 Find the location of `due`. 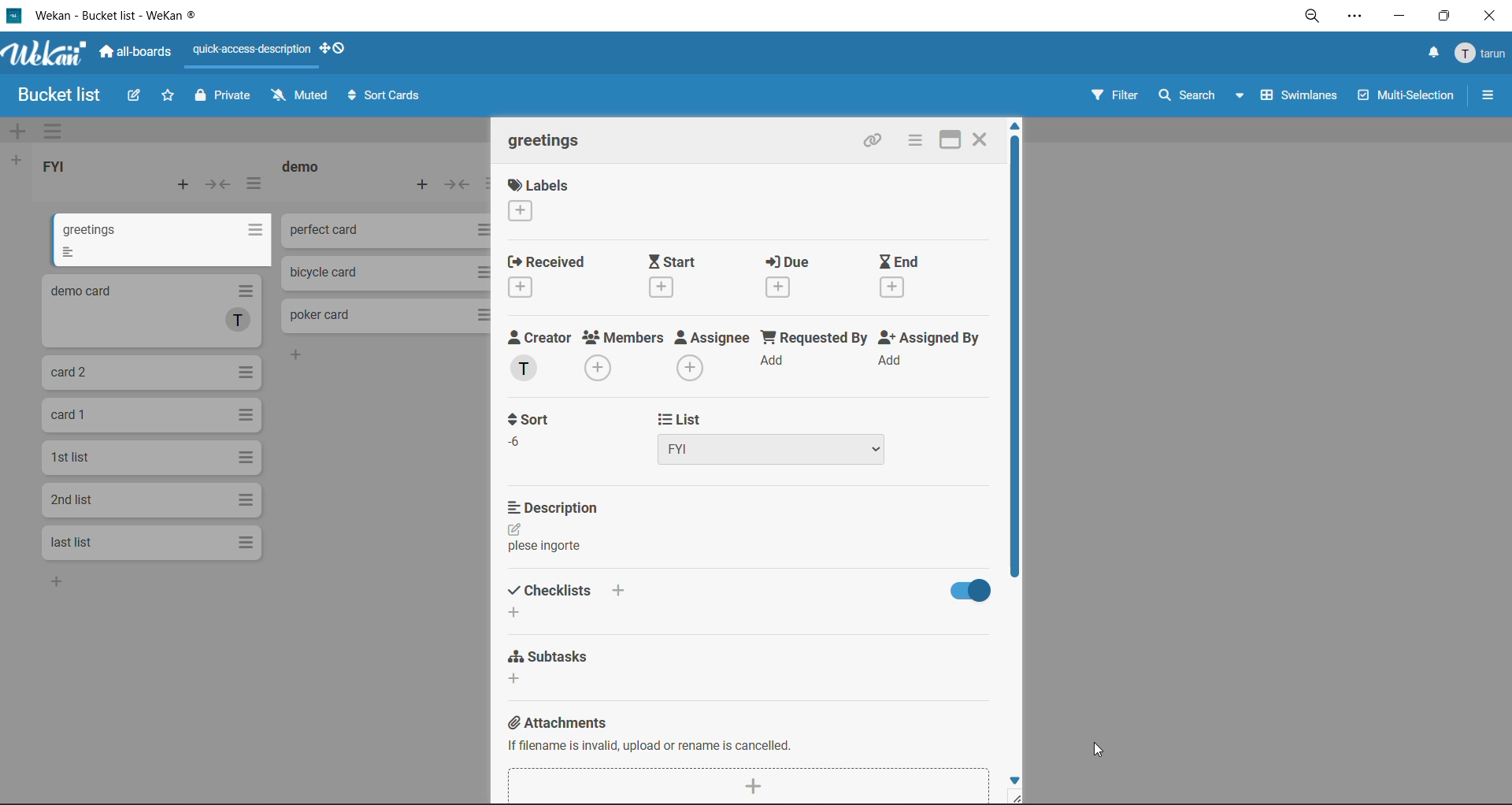

due is located at coordinates (783, 277).